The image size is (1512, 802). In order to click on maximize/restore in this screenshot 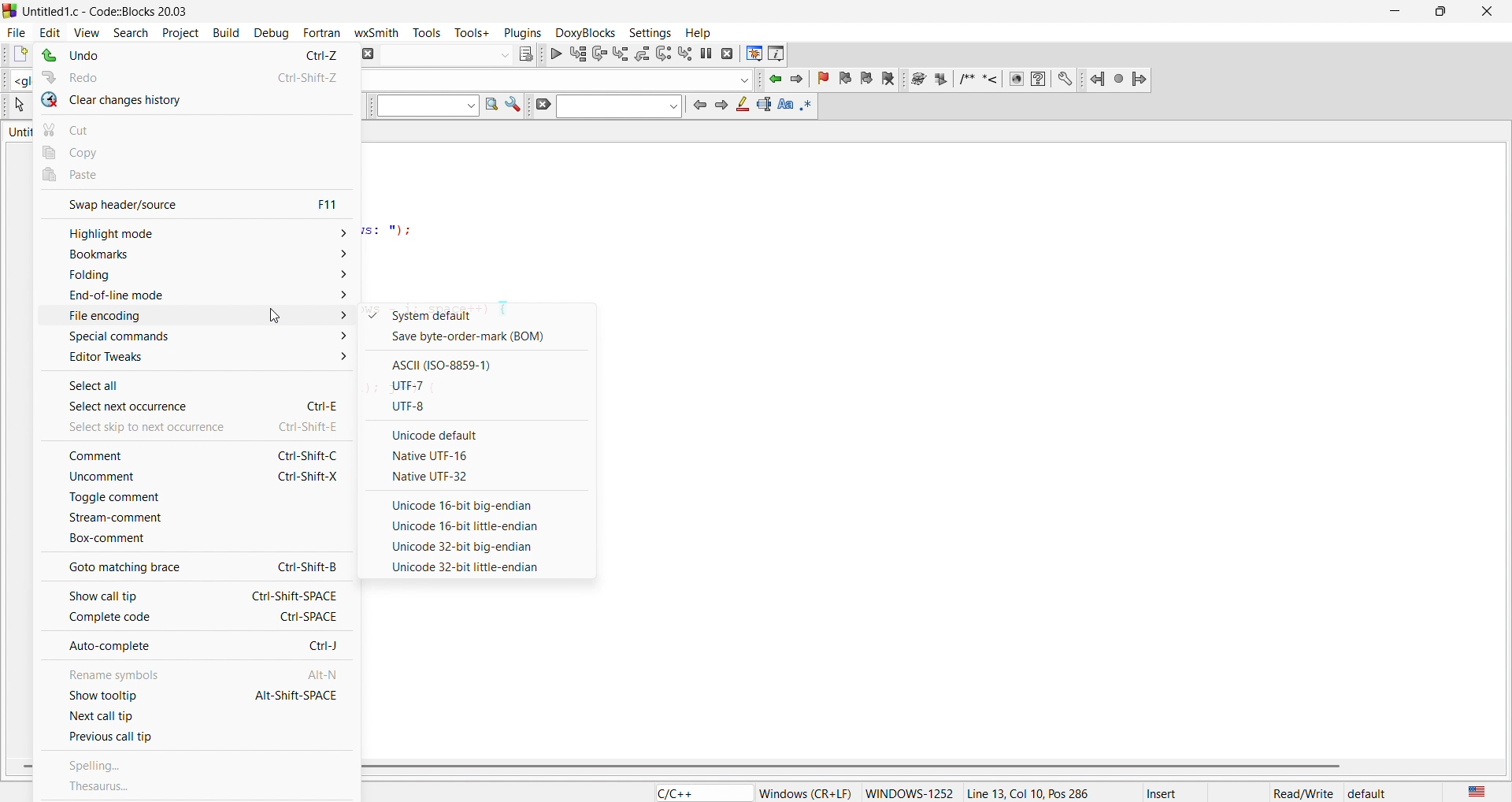, I will do `click(1438, 10)`.